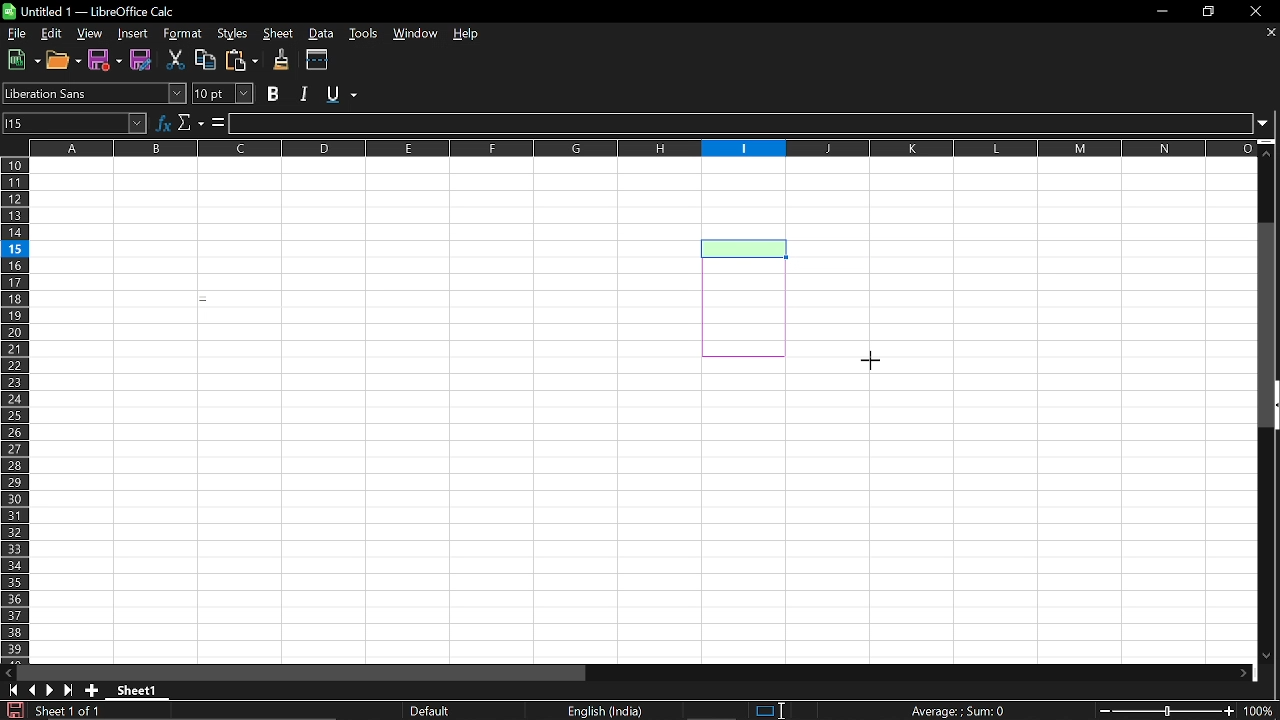 The height and width of the screenshot is (720, 1280). I want to click on Styles, so click(229, 34).